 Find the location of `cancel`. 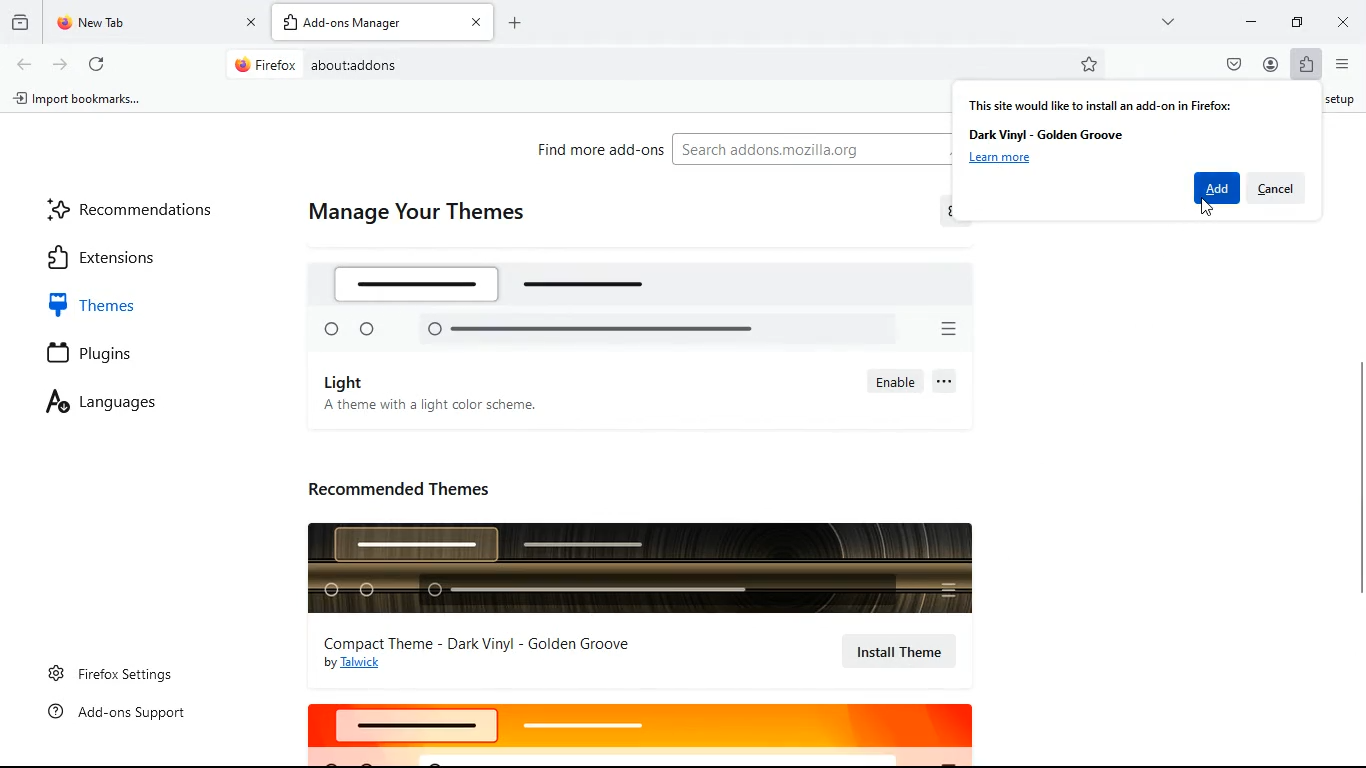

cancel is located at coordinates (1276, 187).